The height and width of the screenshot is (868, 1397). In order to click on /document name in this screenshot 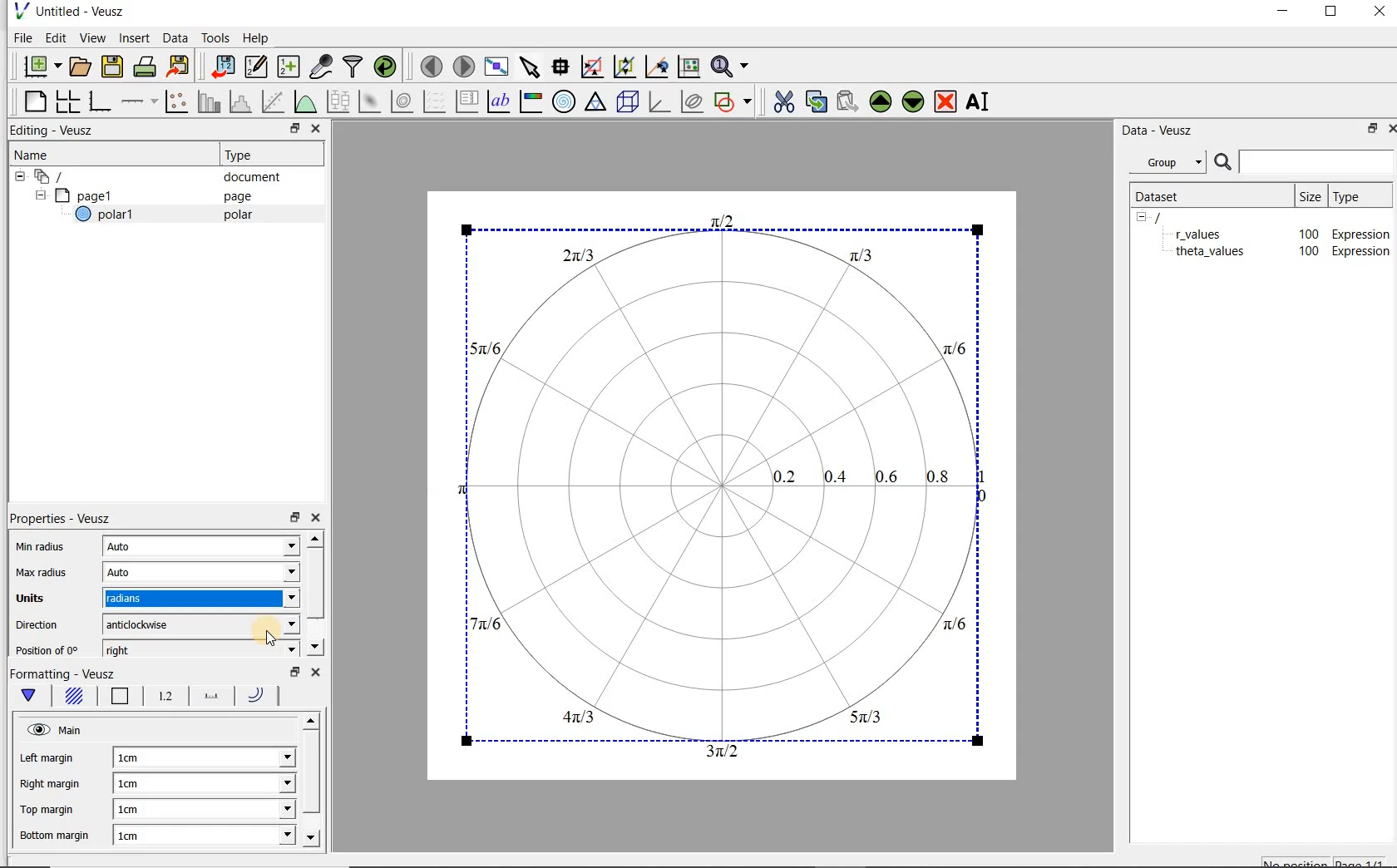, I will do `click(1172, 216)`.